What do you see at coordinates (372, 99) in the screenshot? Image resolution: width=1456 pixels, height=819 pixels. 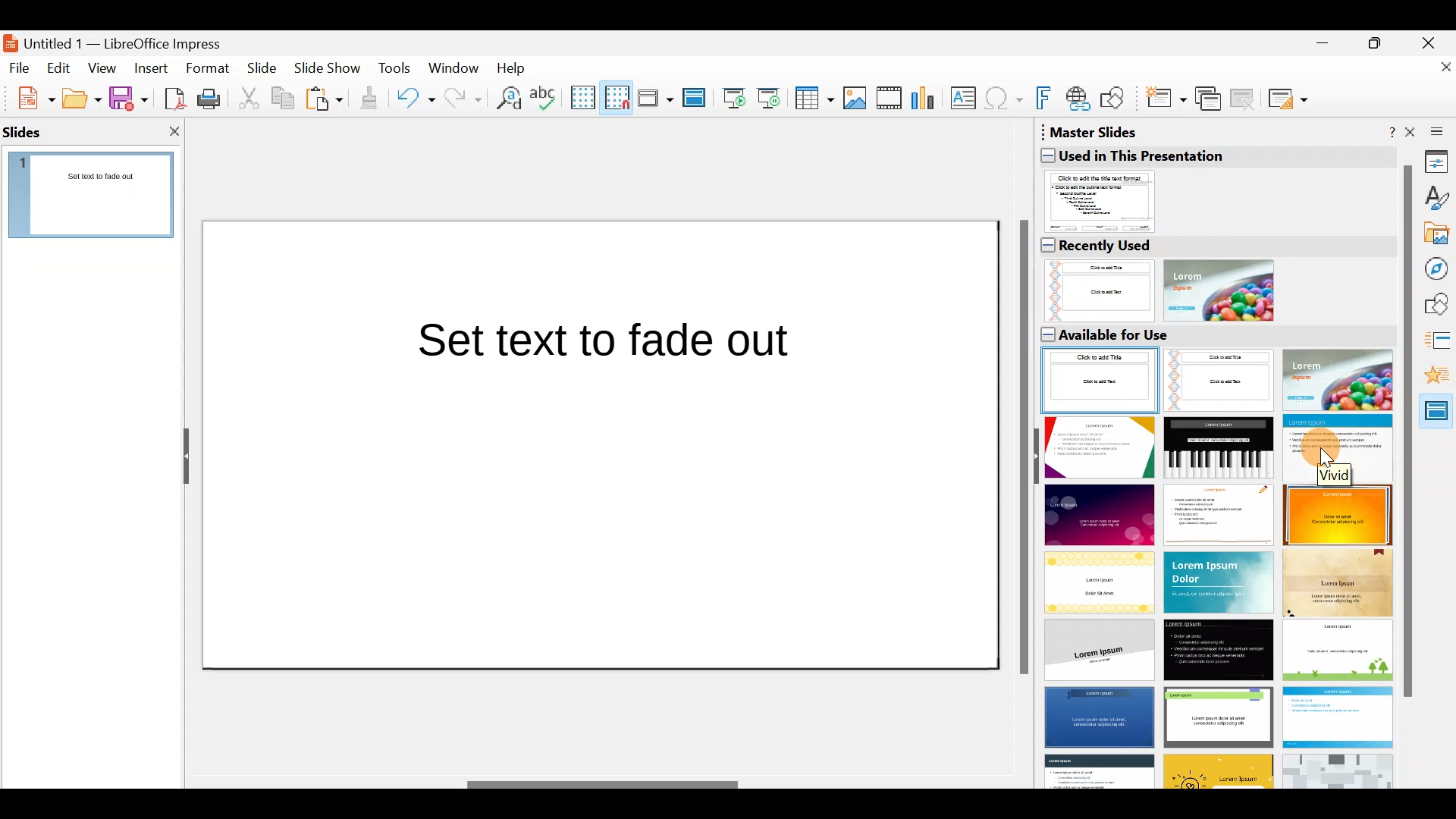 I see `Clone formatting` at bounding box center [372, 99].